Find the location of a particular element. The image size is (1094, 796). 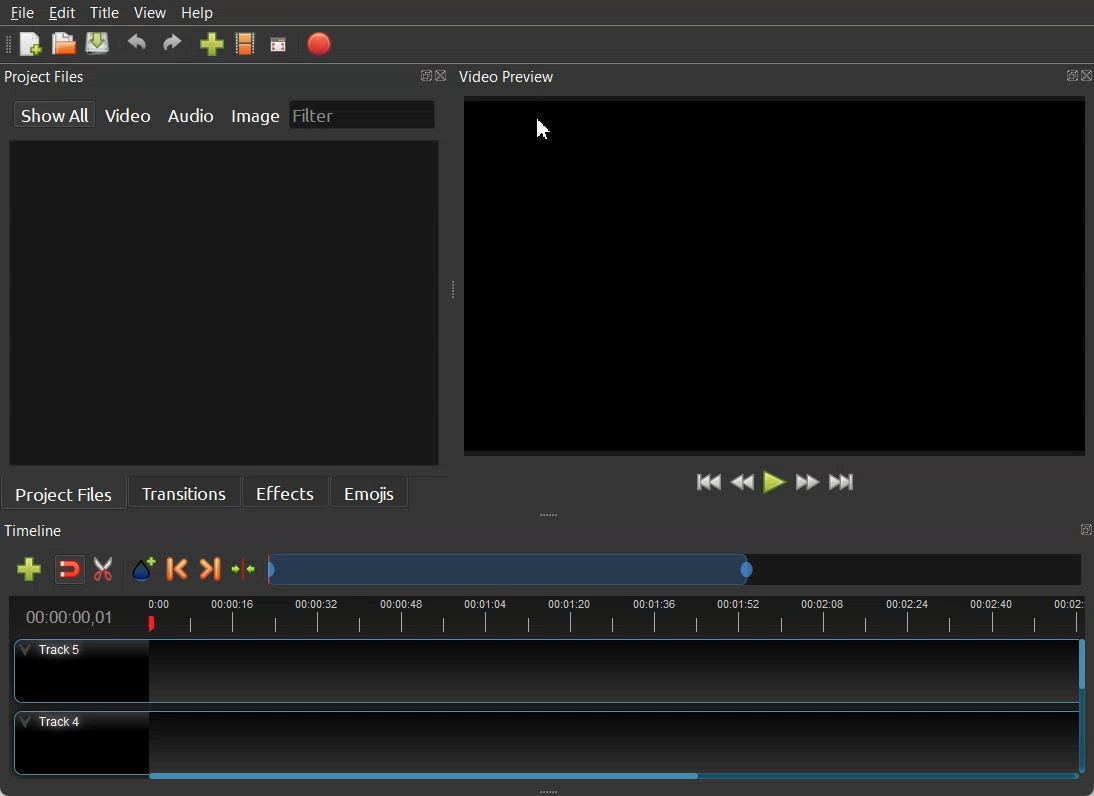

Audio is located at coordinates (190, 115).